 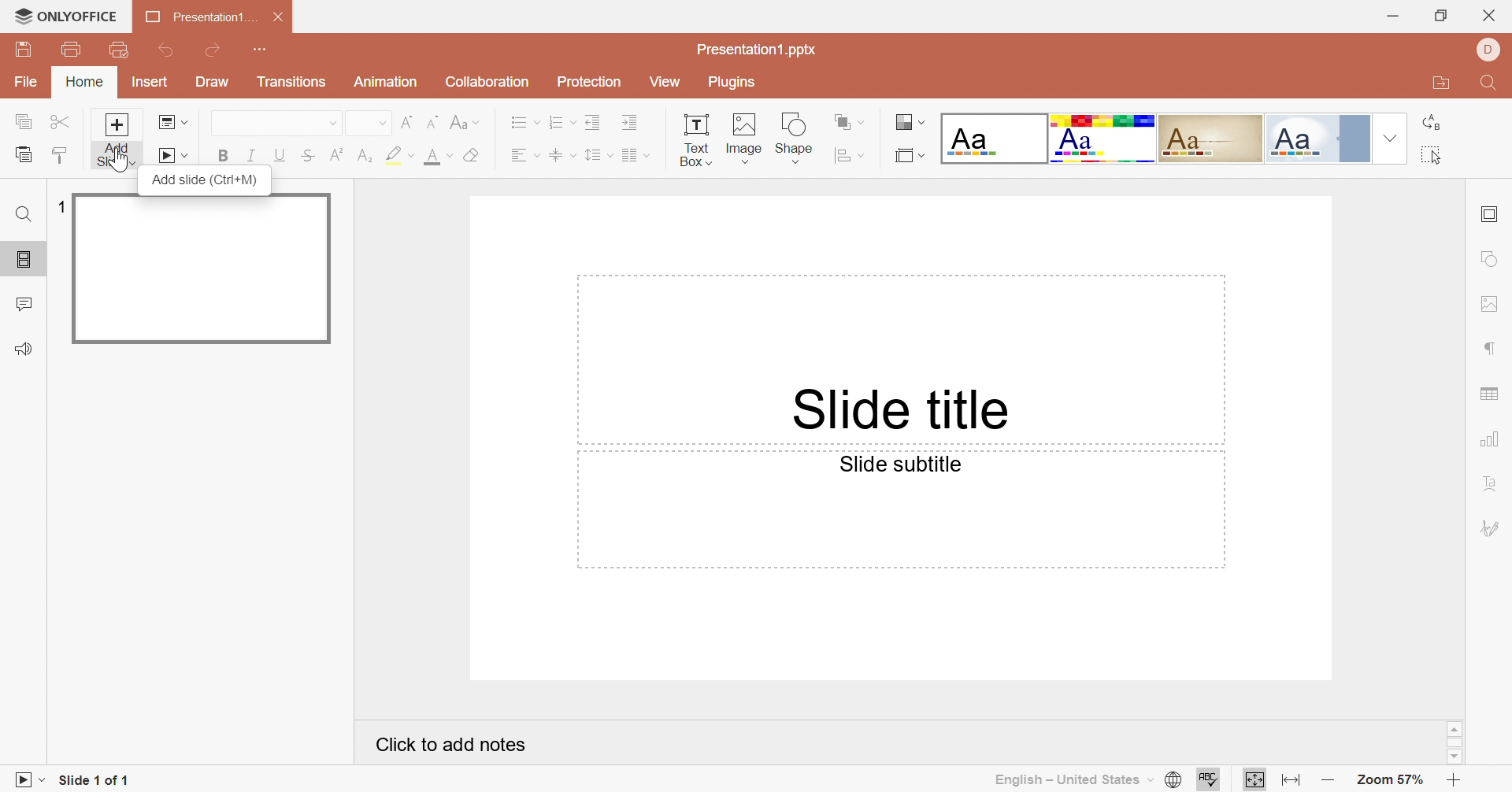 I want to click on Zoom in, so click(x=1449, y=781).